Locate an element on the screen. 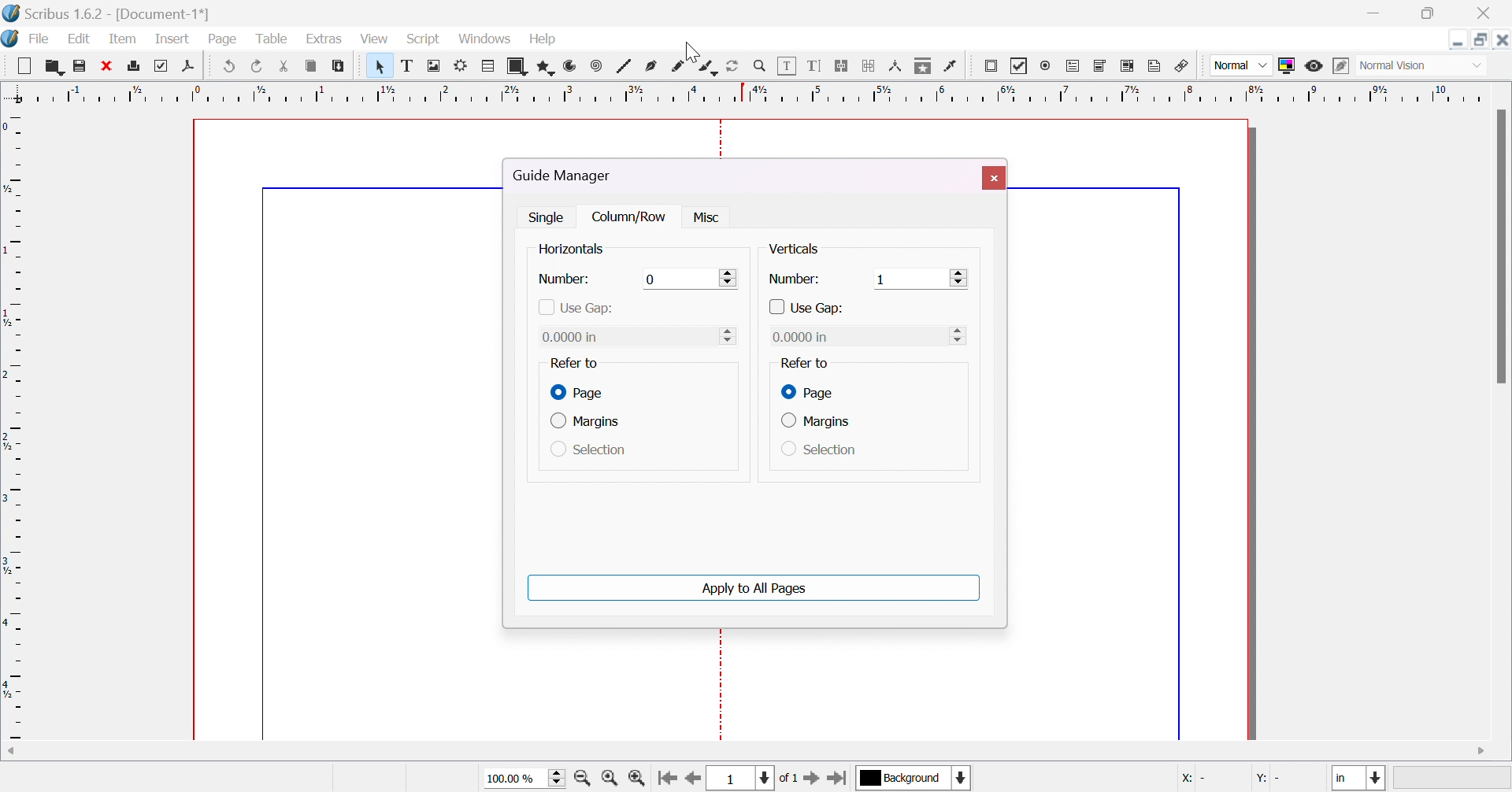 The width and height of the screenshot is (1512, 792). measurements is located at coordinates (898, 67).